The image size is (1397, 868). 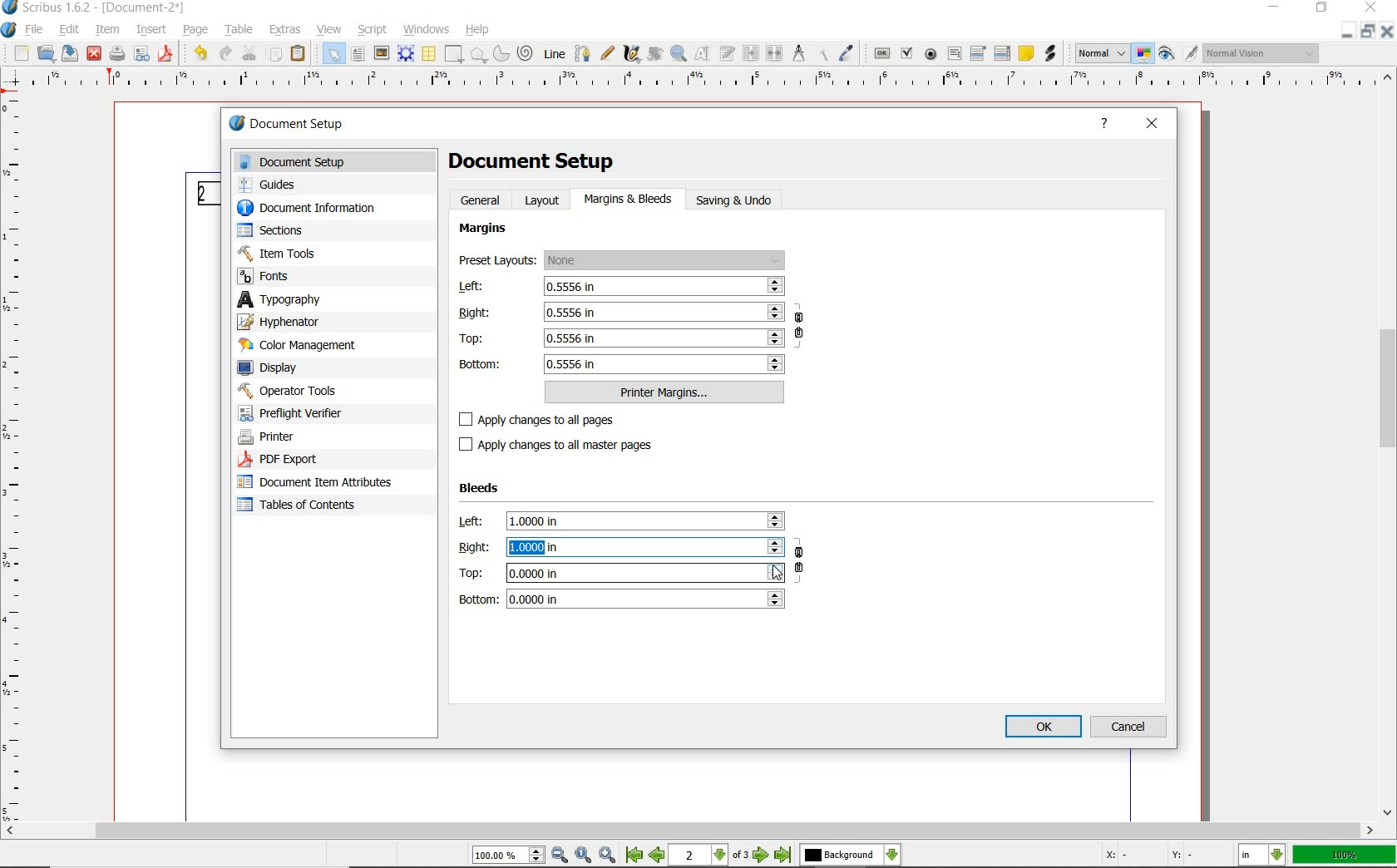 I want to click on display, so click(x=275, y=368).